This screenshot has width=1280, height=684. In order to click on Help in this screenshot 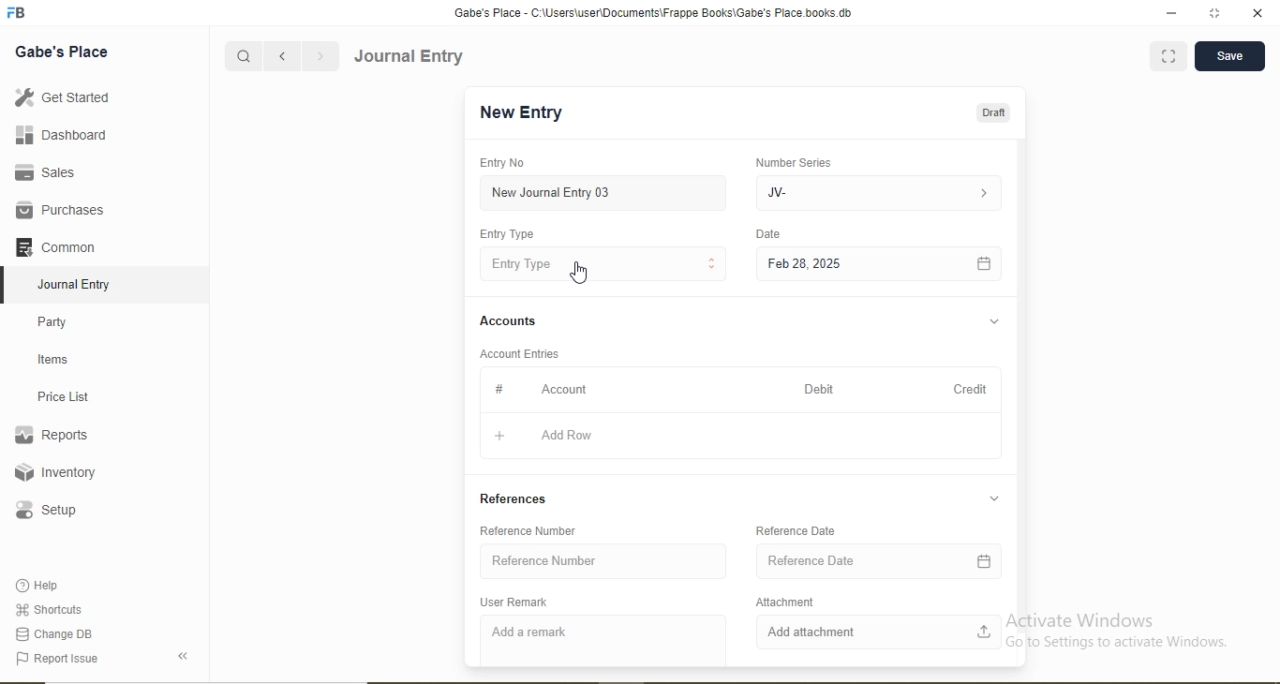, I will do `click(39, 585)`.